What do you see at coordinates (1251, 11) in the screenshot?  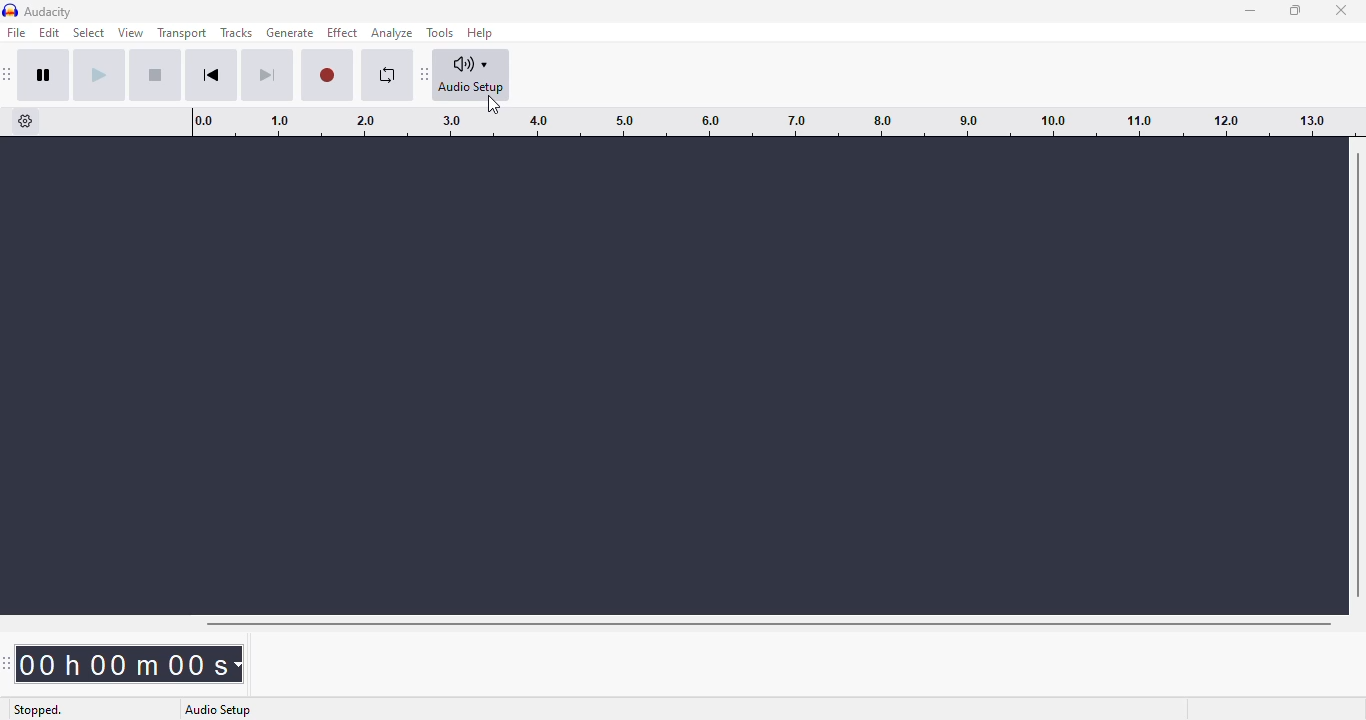 I see `minimize` at bounding box center [1251, 11].